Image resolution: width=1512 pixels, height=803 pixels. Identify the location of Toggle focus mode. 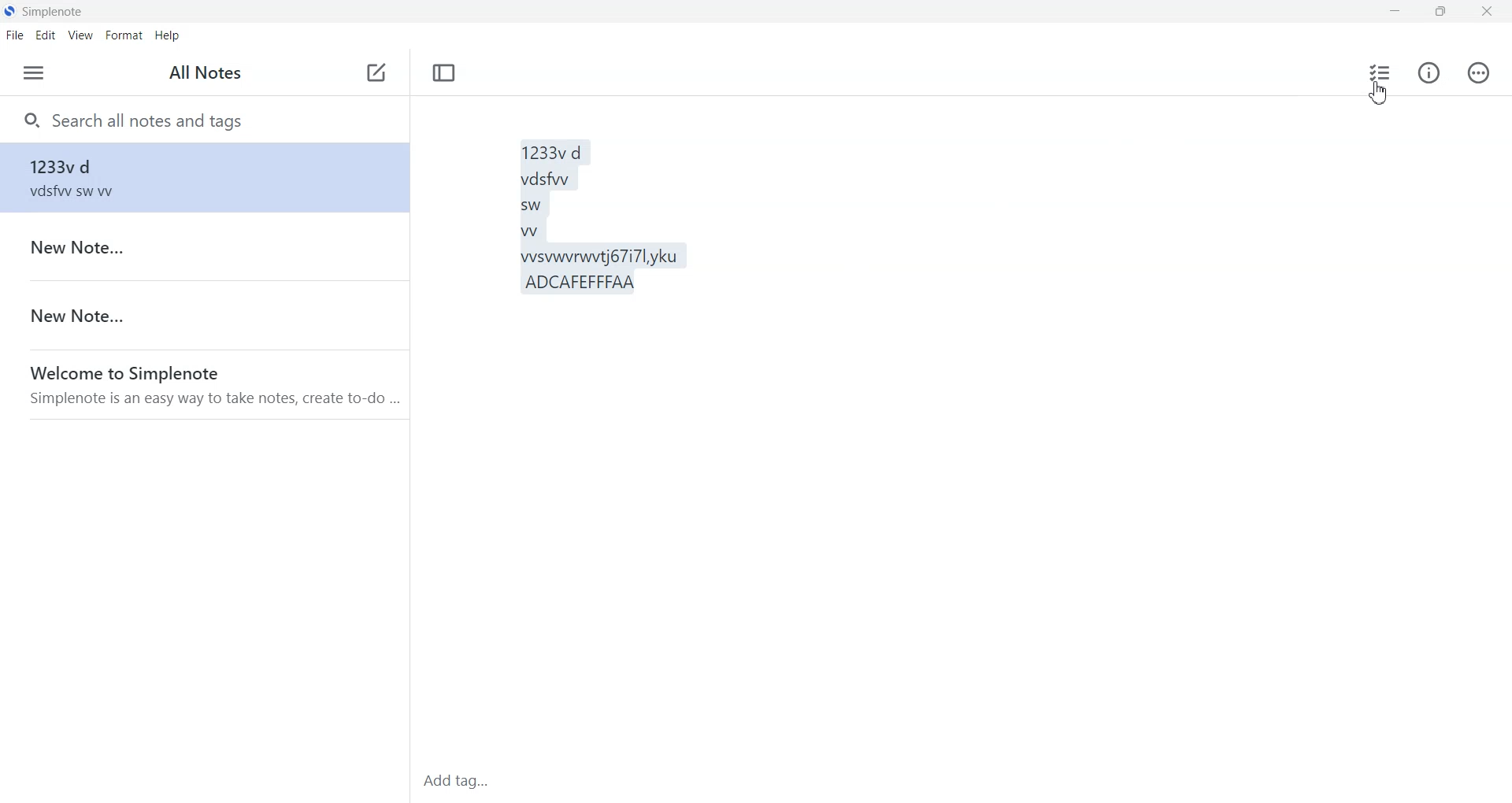
(444, 72).